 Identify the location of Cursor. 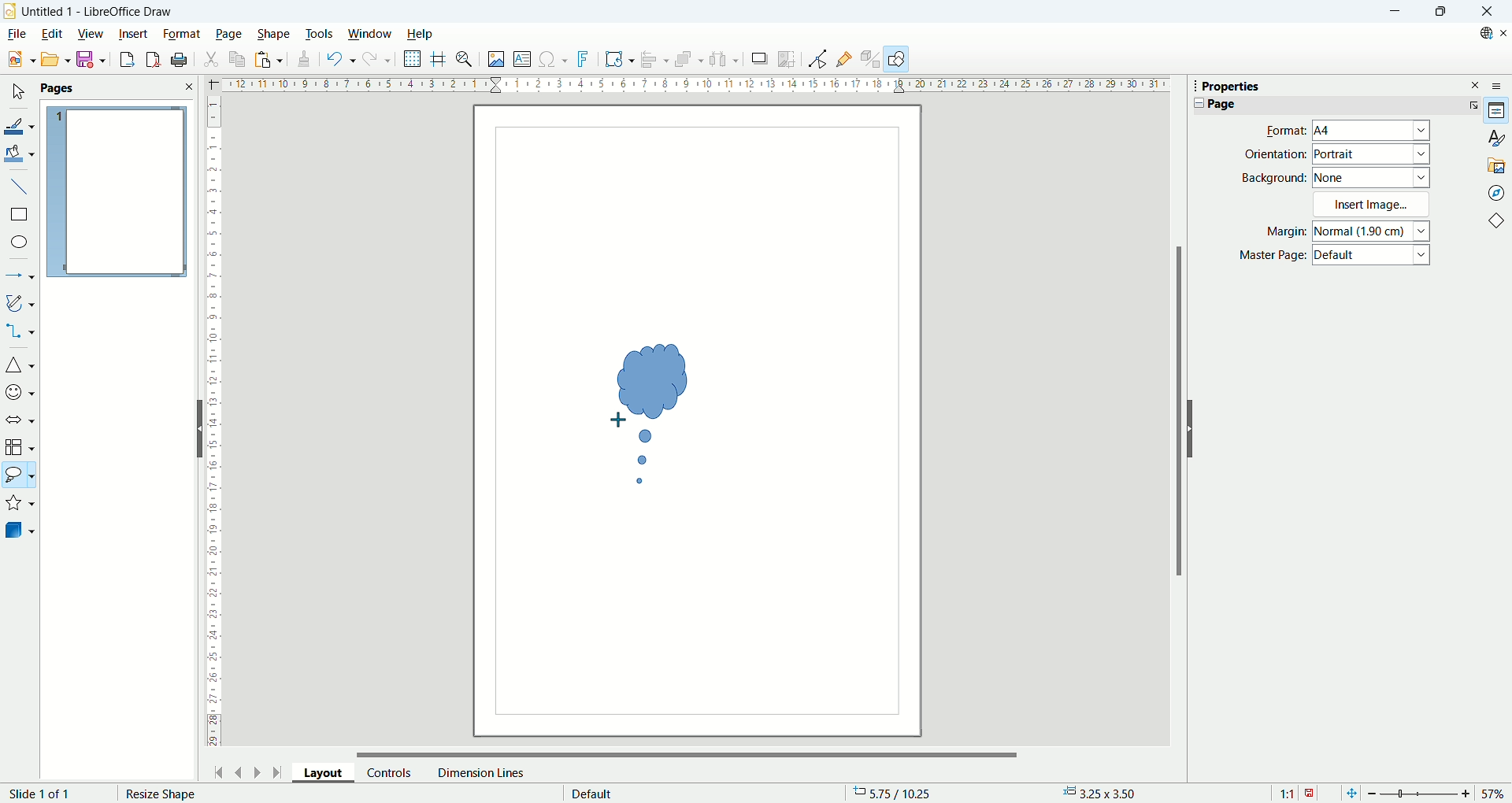
(622, 417).